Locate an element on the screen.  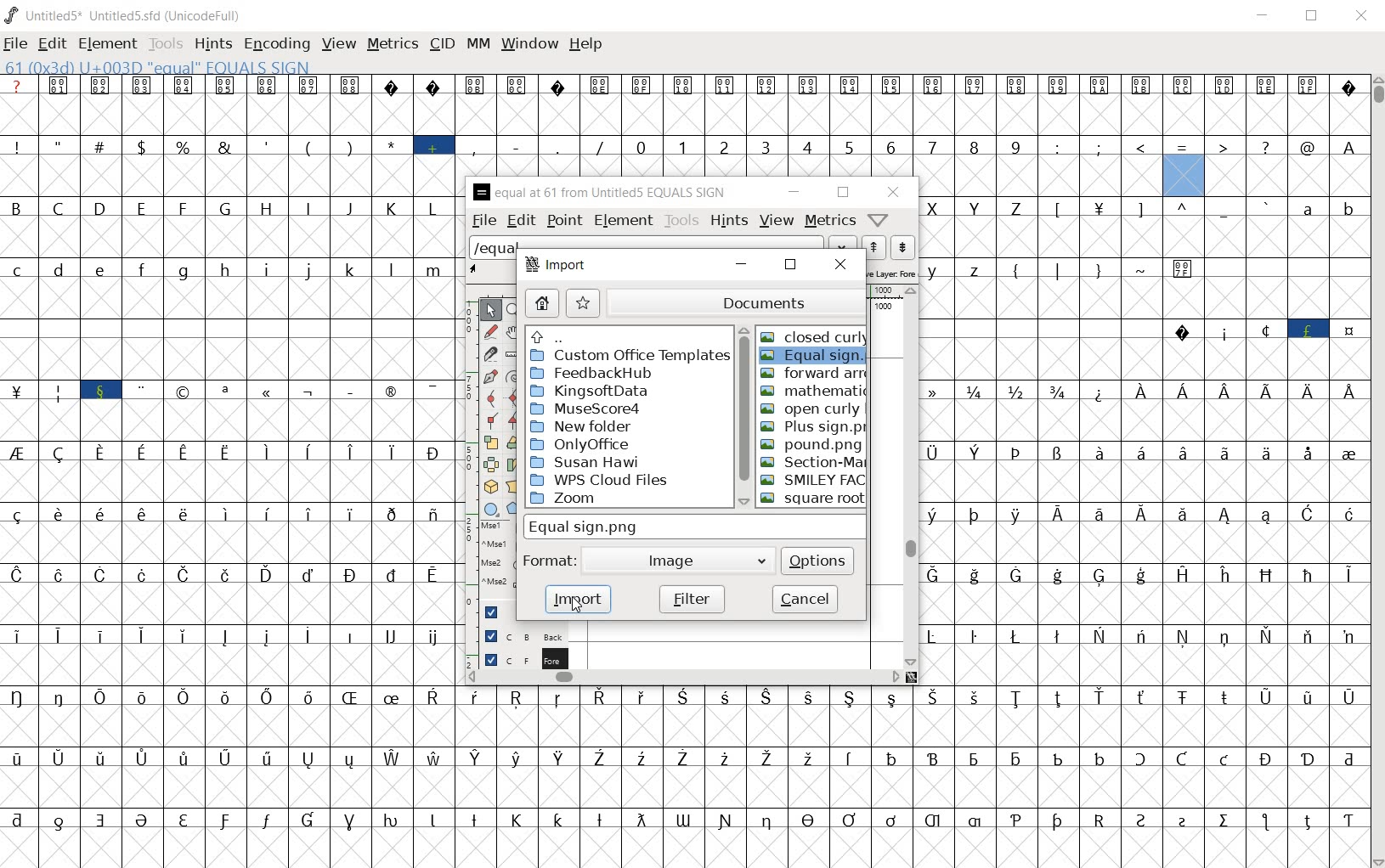
scrollbar is located at coordinates (686, 677).